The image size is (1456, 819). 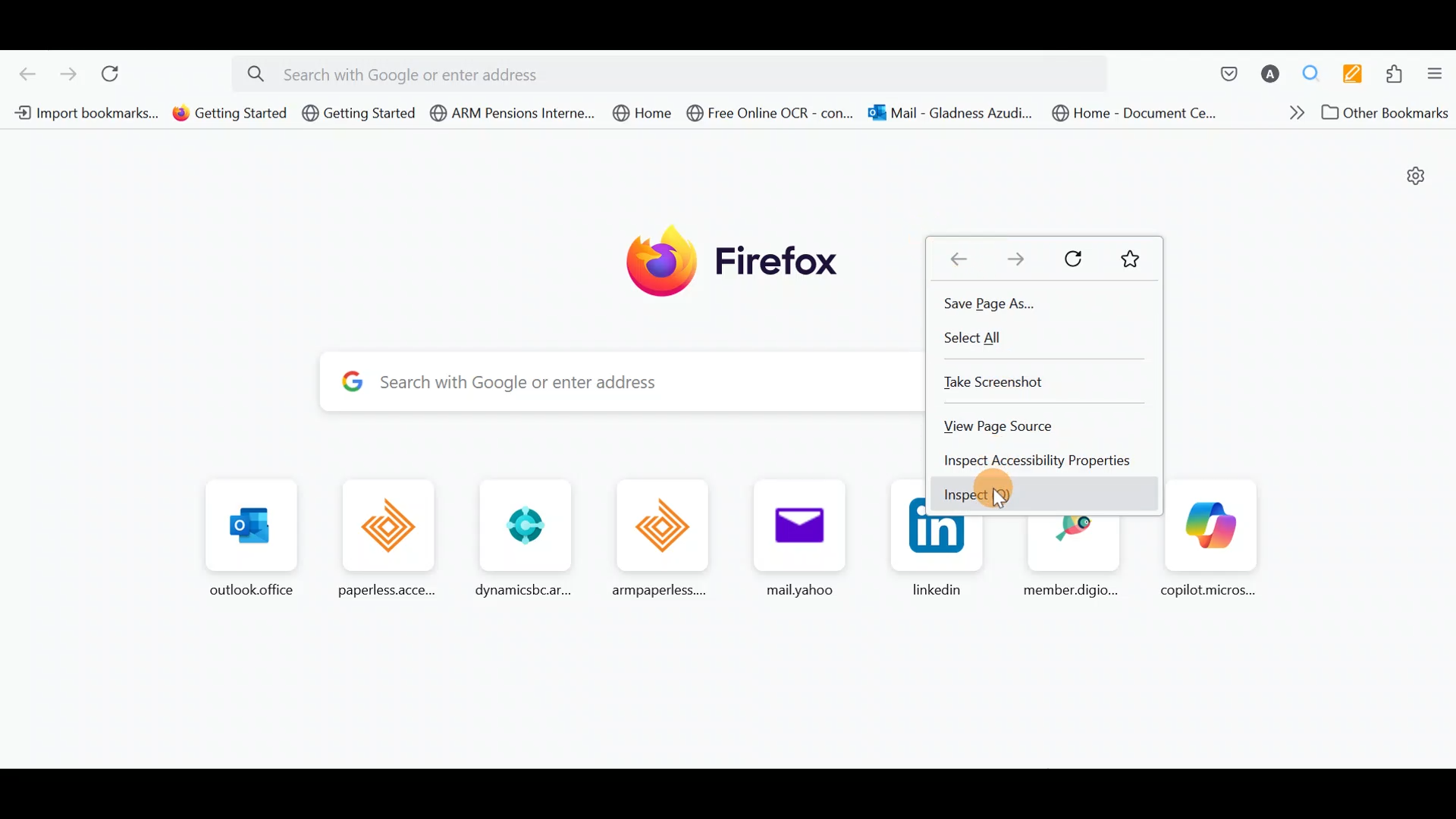 I want to click on Account, so click(x=1271, y=75).